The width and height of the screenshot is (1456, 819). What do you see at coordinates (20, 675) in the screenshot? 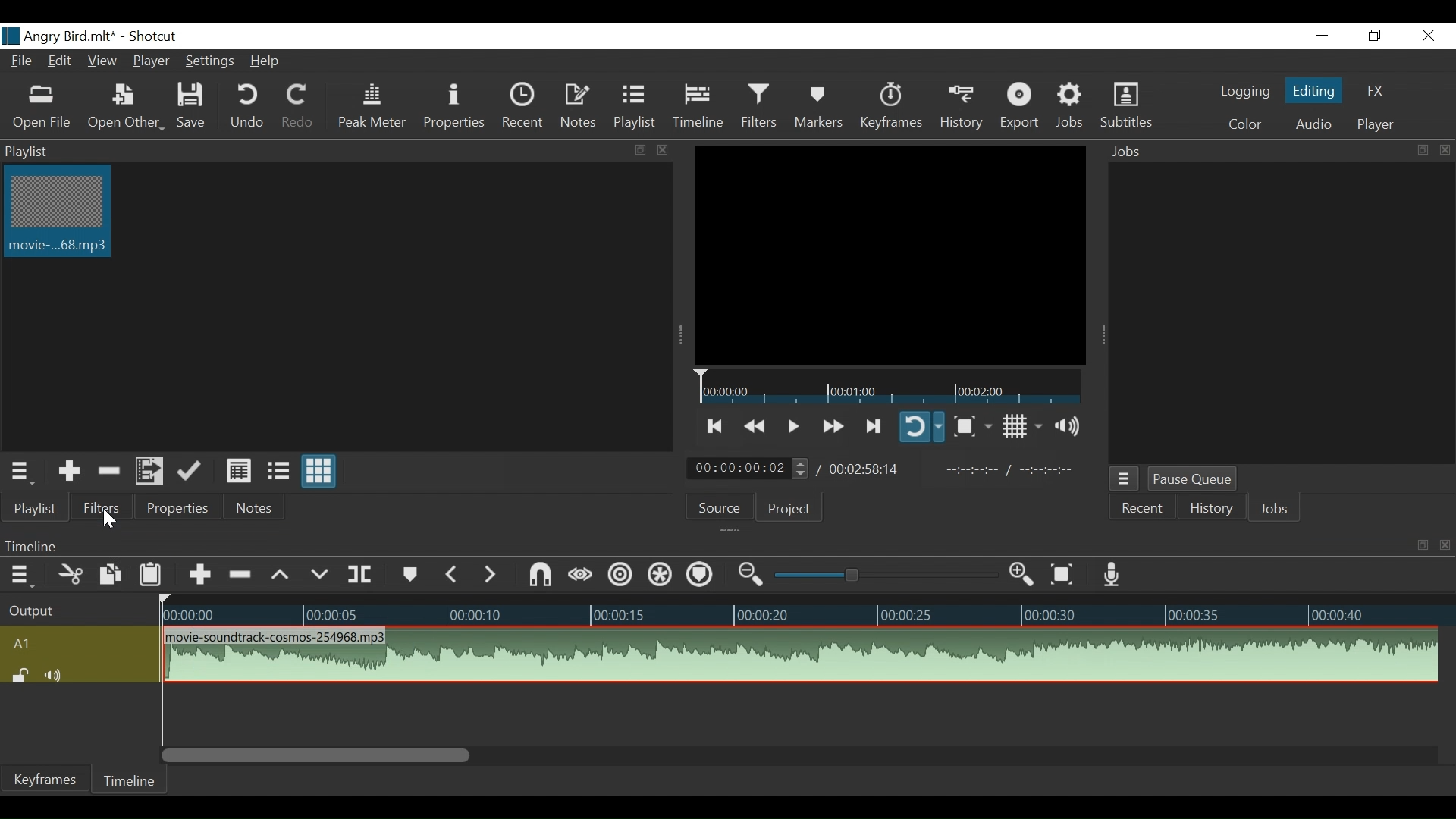
I see `(un)lock track` at bounding box center [20, 675].